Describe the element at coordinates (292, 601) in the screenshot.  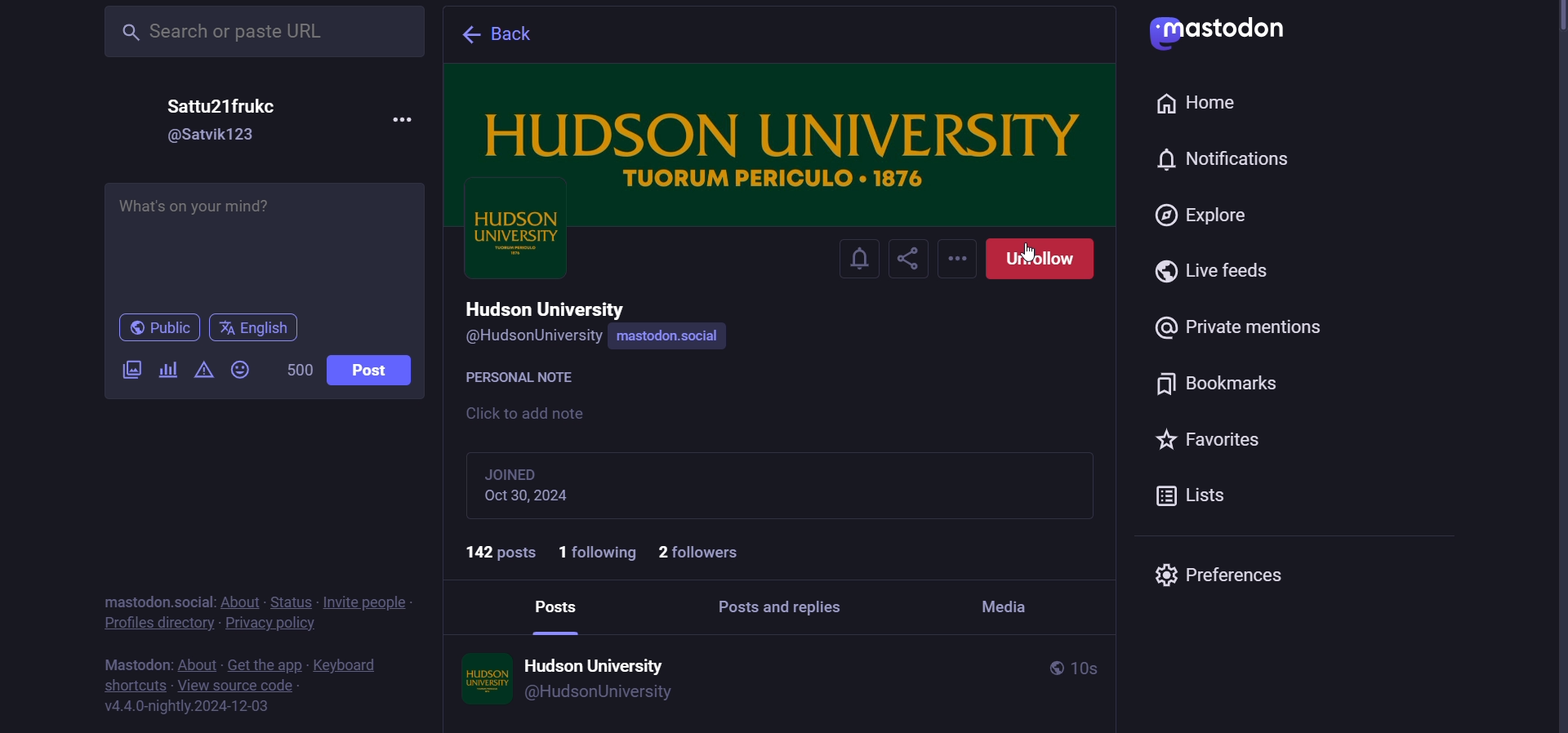
I see `status` at that location.